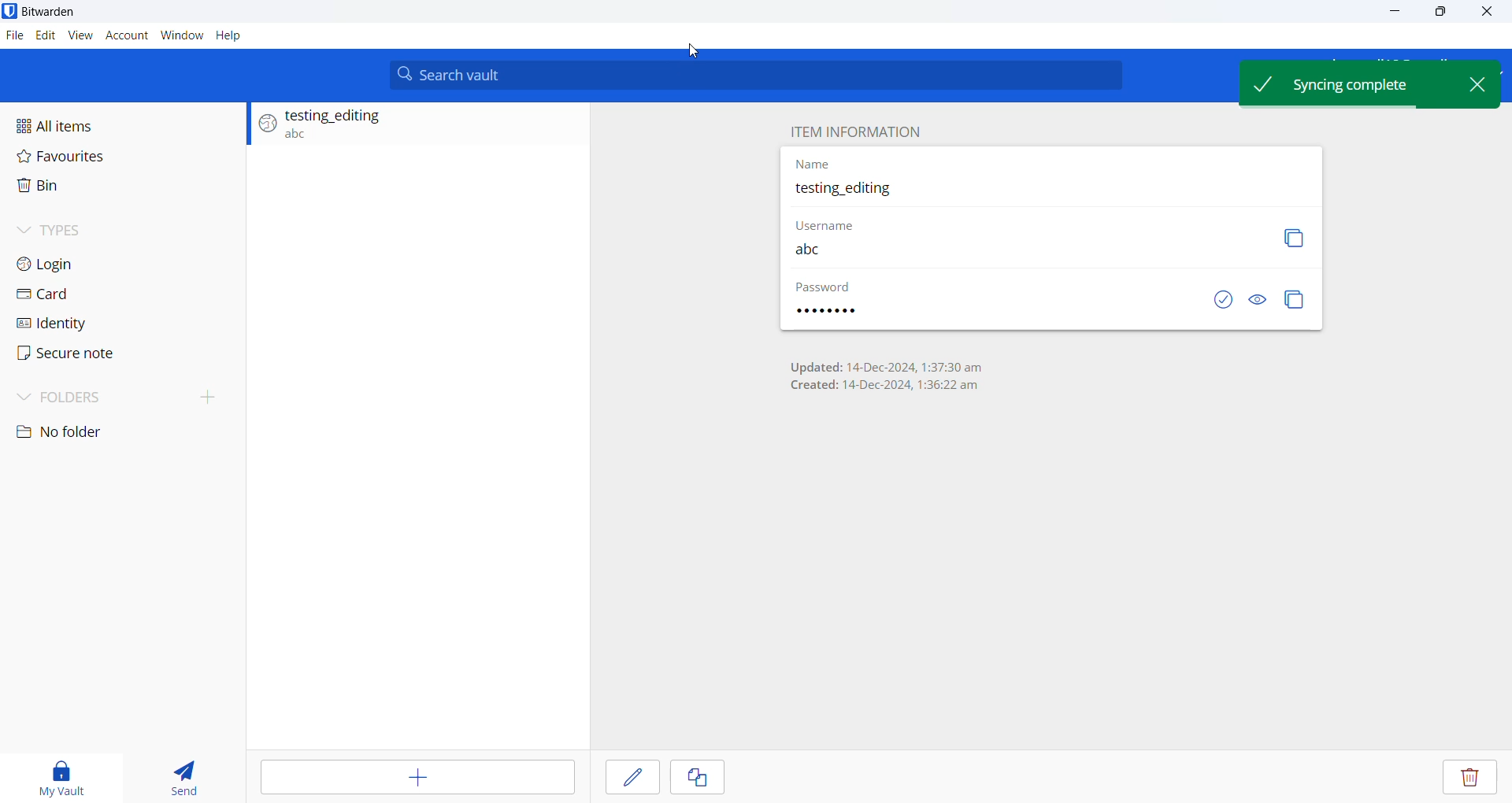 The height and width of the screenshot is (803, 1512). I want to click on Bin, so click(114, 187).